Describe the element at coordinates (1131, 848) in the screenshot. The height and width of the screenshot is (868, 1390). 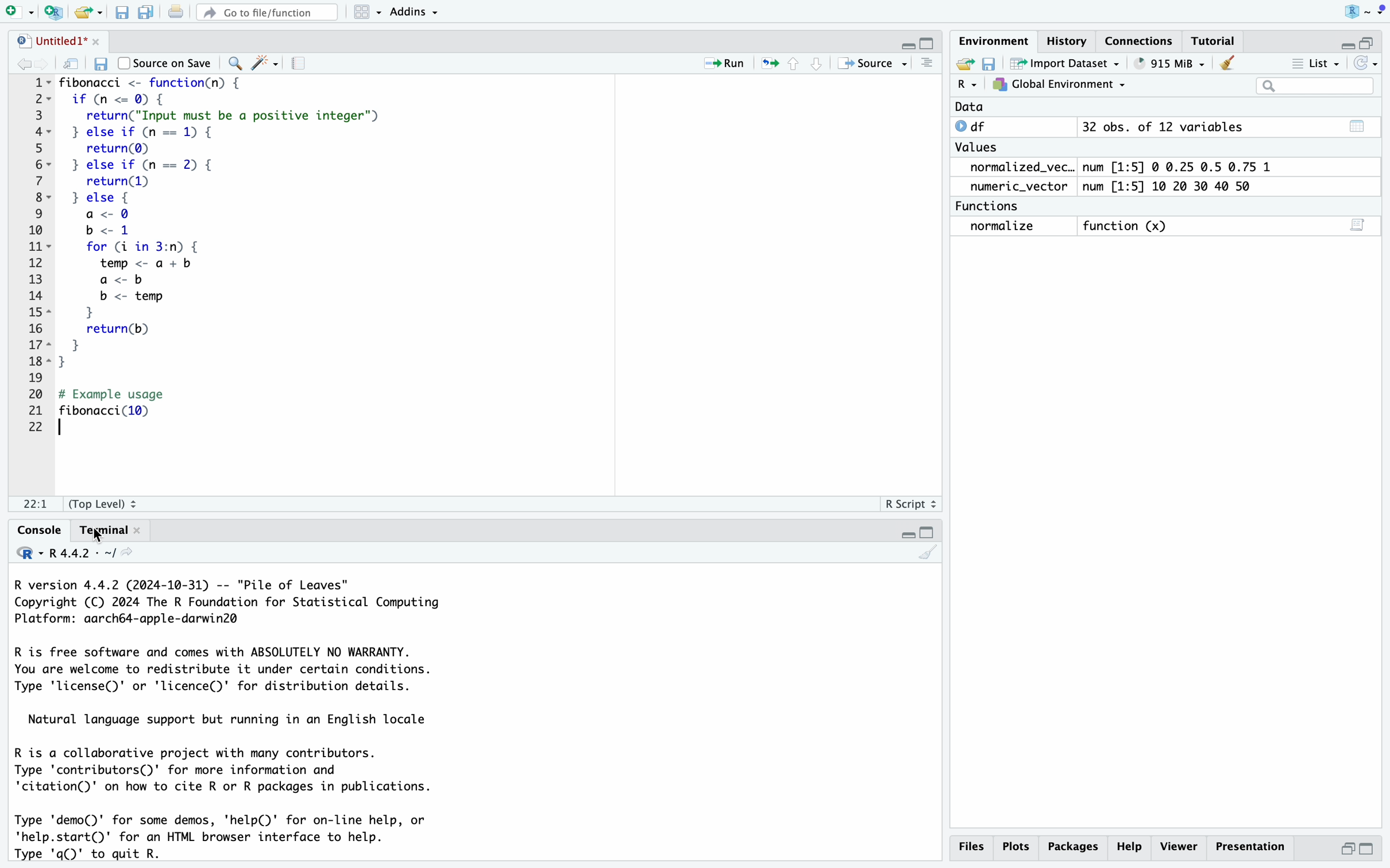
I see `help` at that location.